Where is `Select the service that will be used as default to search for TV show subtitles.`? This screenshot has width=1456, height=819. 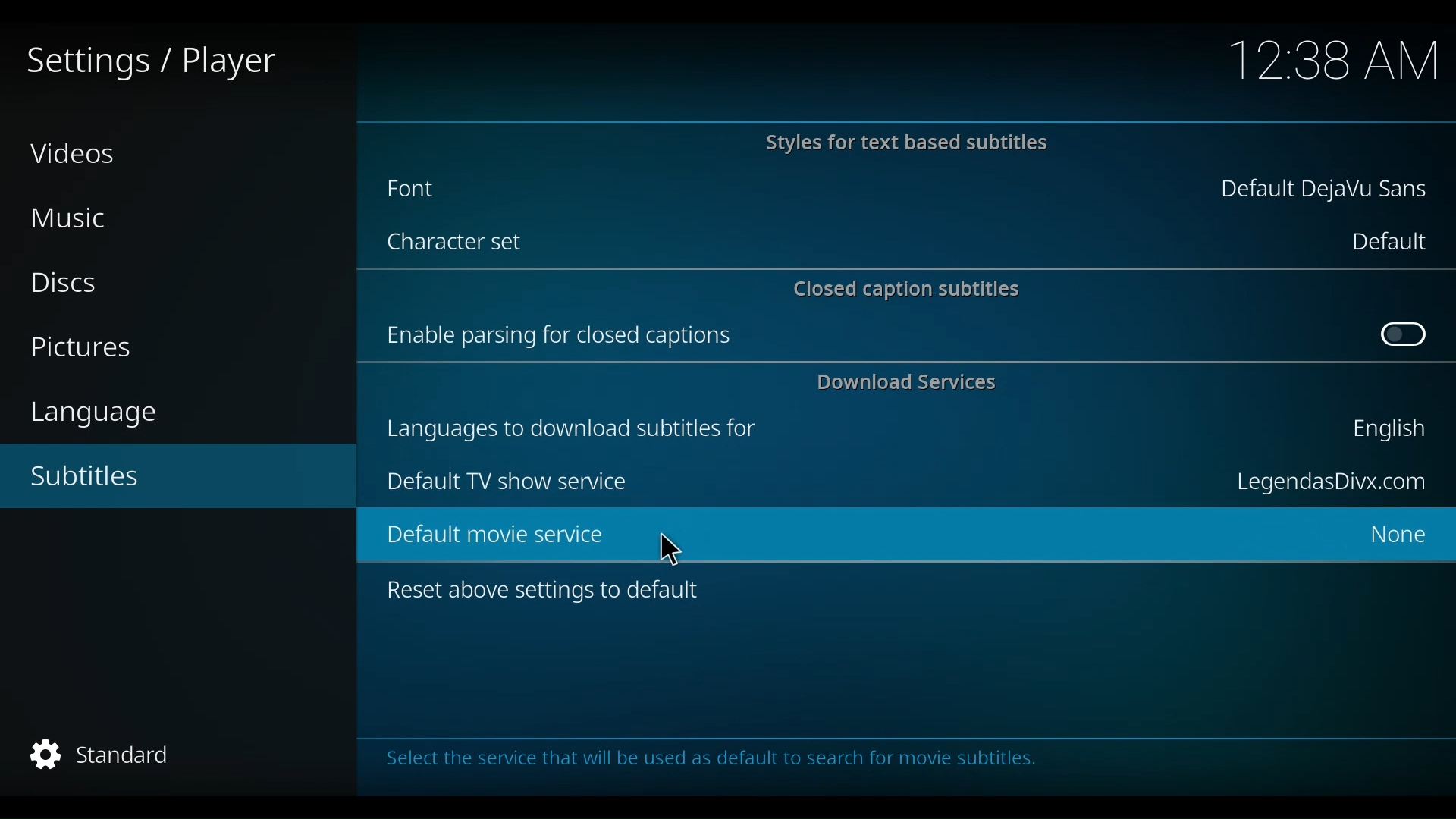 Select the service that will be used as default to search for TV show subtitles. is located at coordinates (753, 764).